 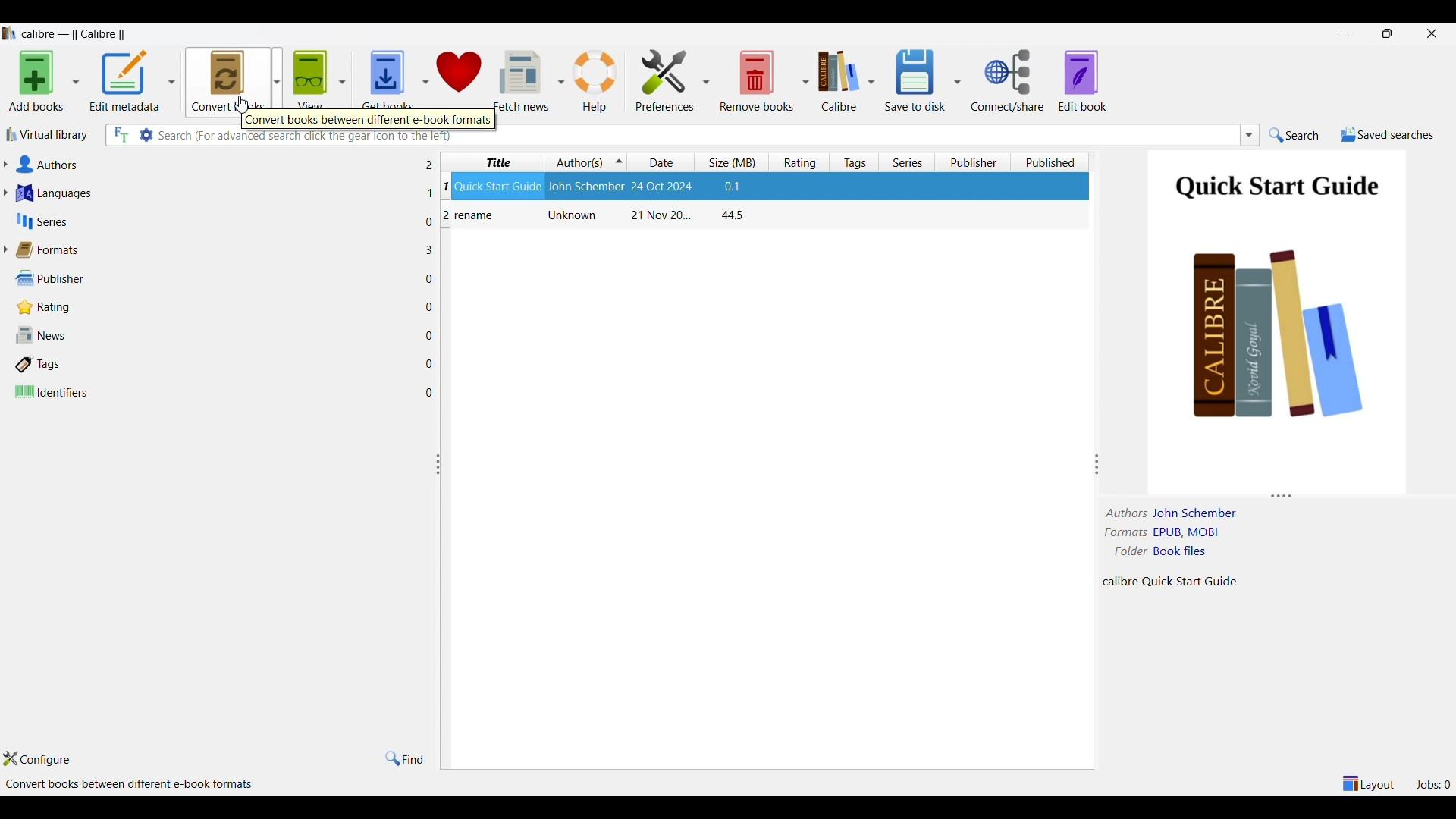 I want to click on folder, so click(x=1128, y=551).